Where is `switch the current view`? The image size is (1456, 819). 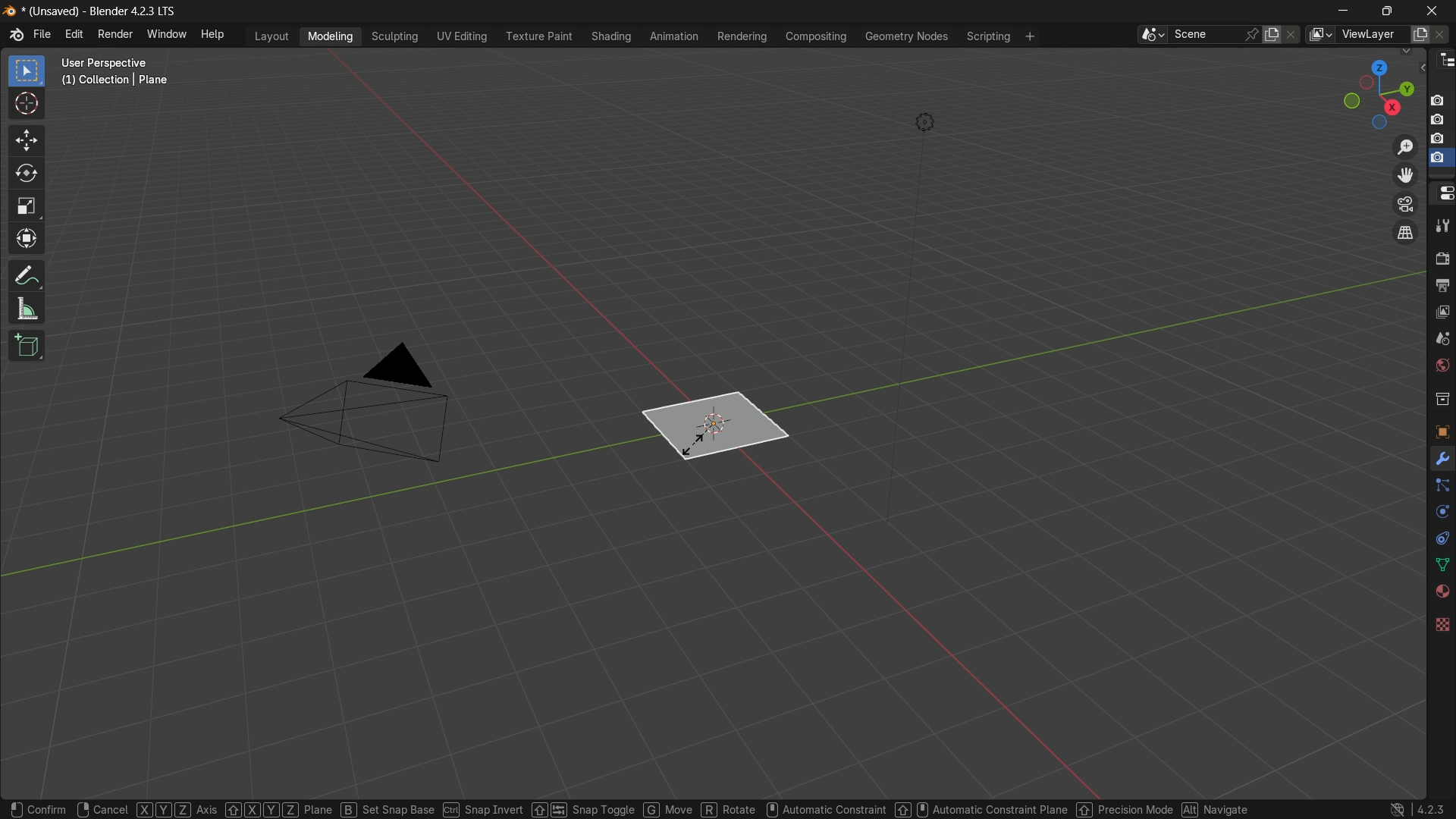 switch the current view is located at coordinates (1407, 232).